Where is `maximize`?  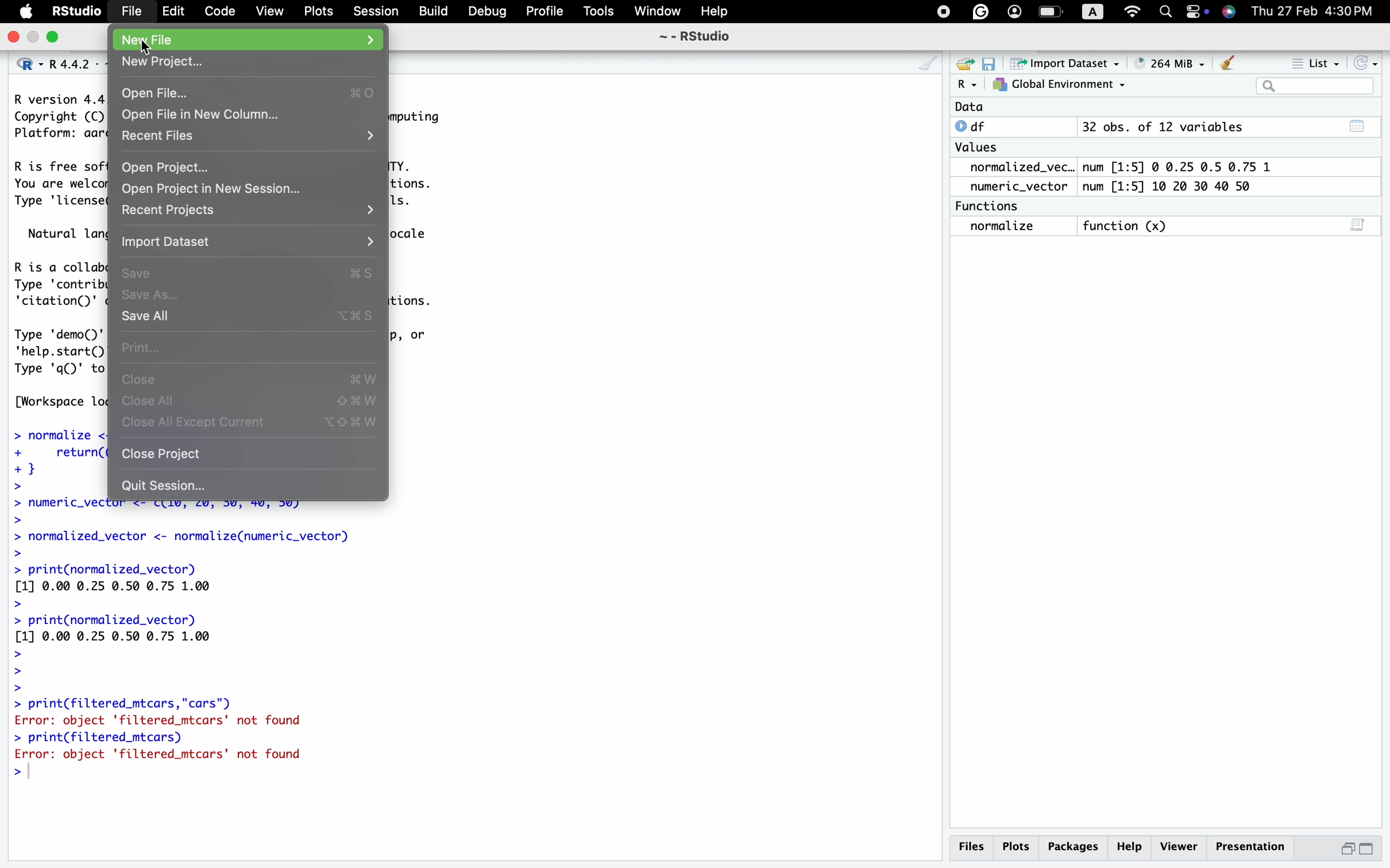 maximize is located at coordinates (1374, 850).